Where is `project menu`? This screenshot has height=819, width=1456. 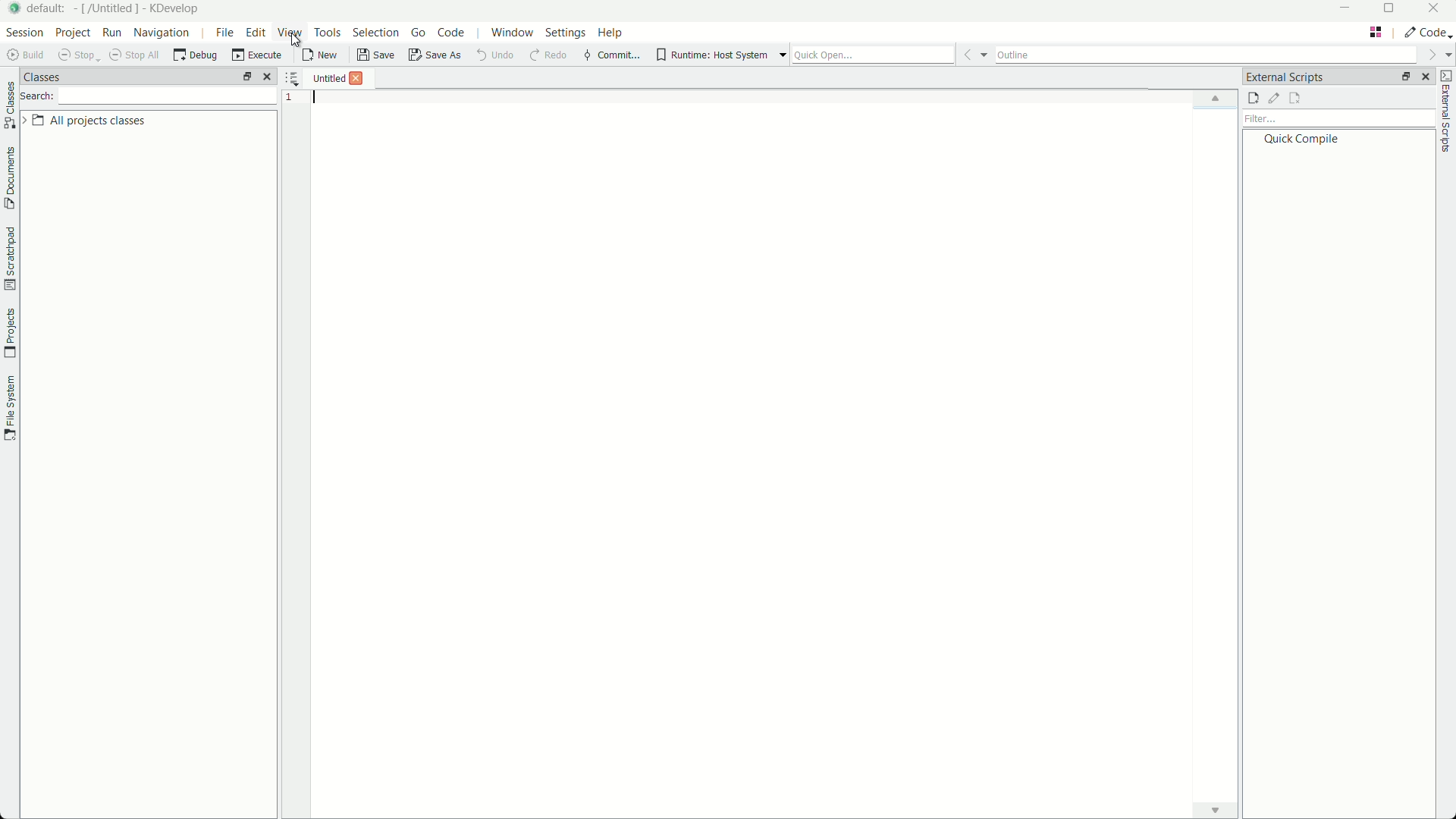 project menu is located at coordinates (71, 33).